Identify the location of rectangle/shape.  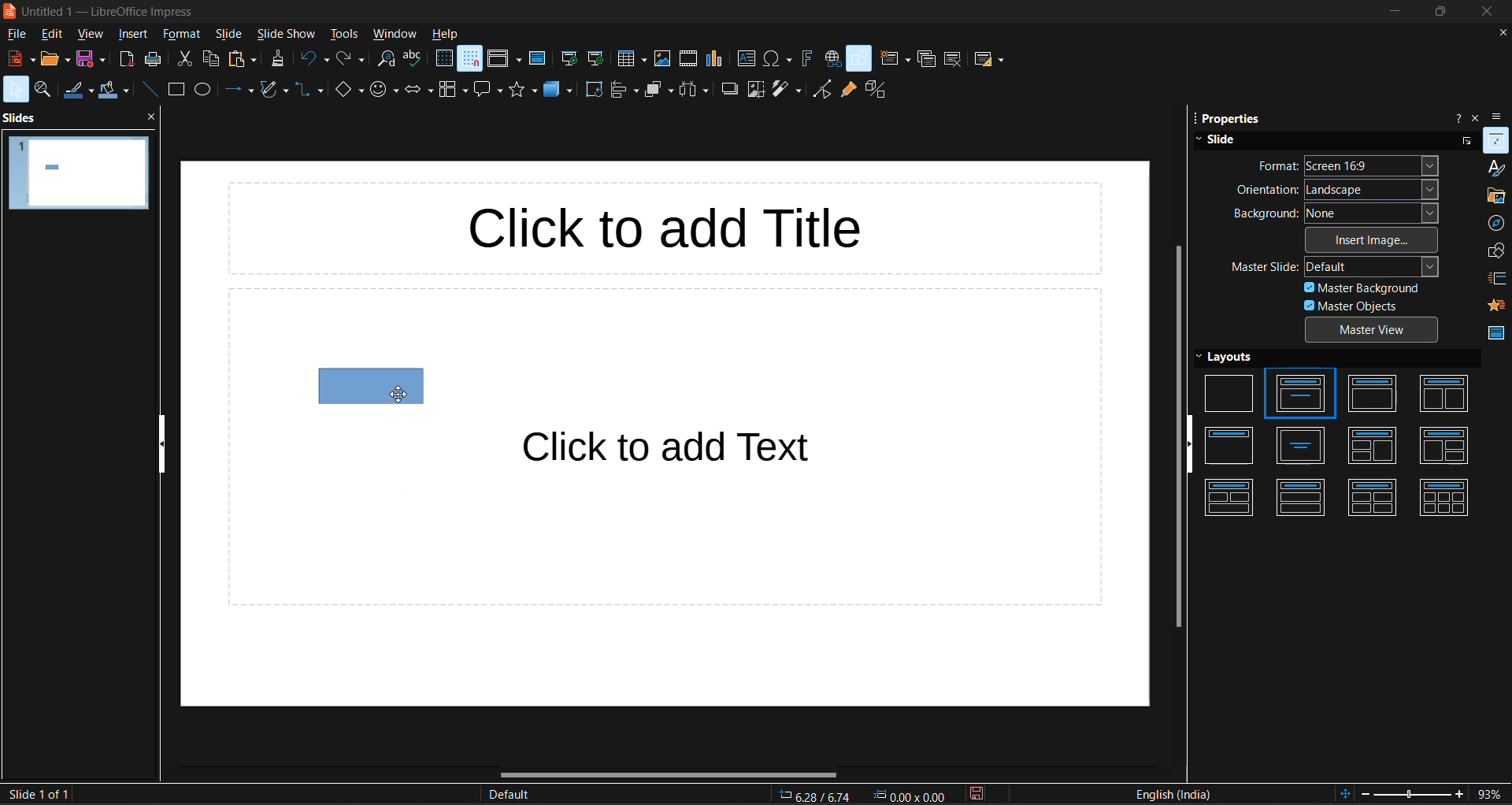
(369, 386).